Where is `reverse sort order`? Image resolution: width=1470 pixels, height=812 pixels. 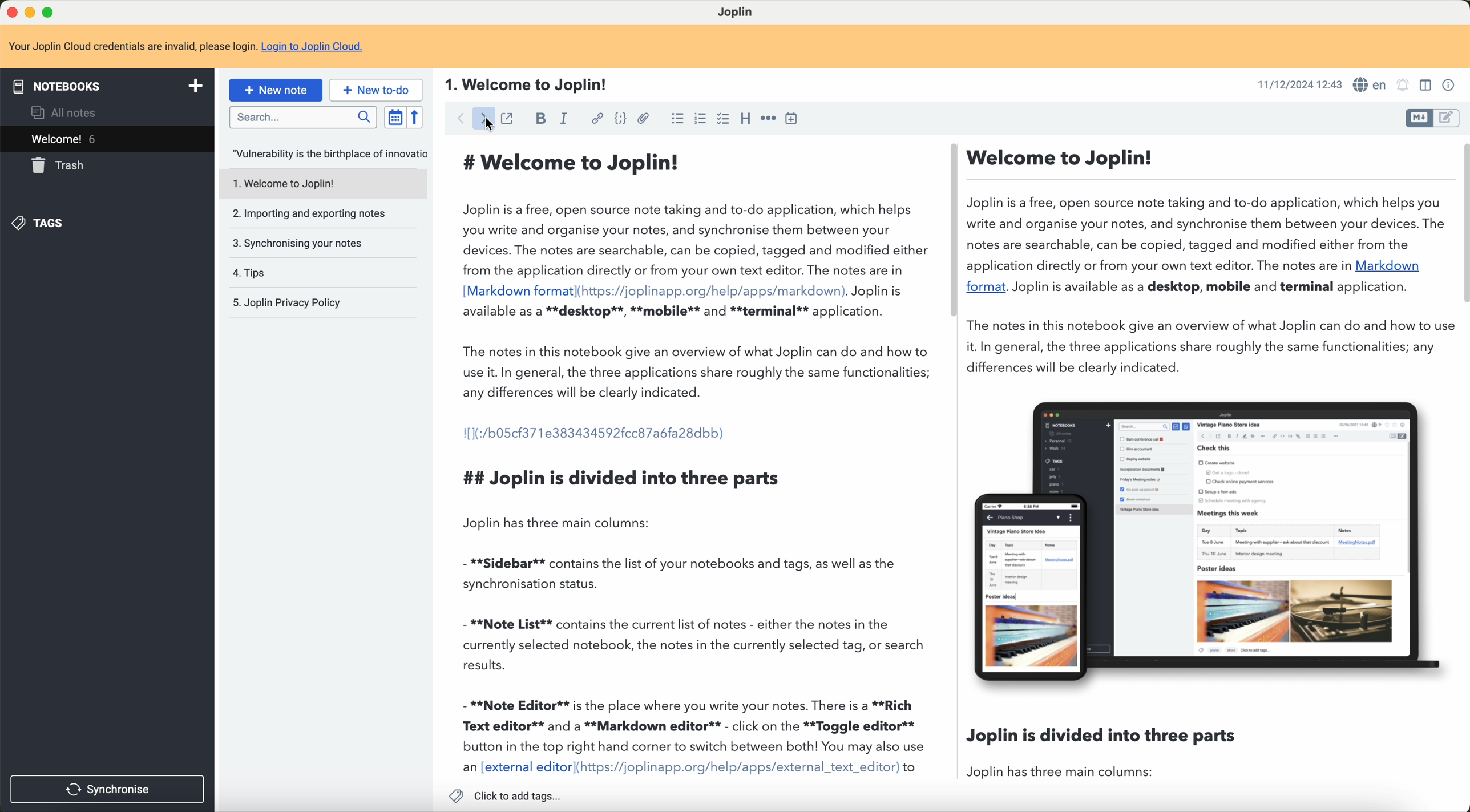
reverse sort order is located at coordinates (416, 117).